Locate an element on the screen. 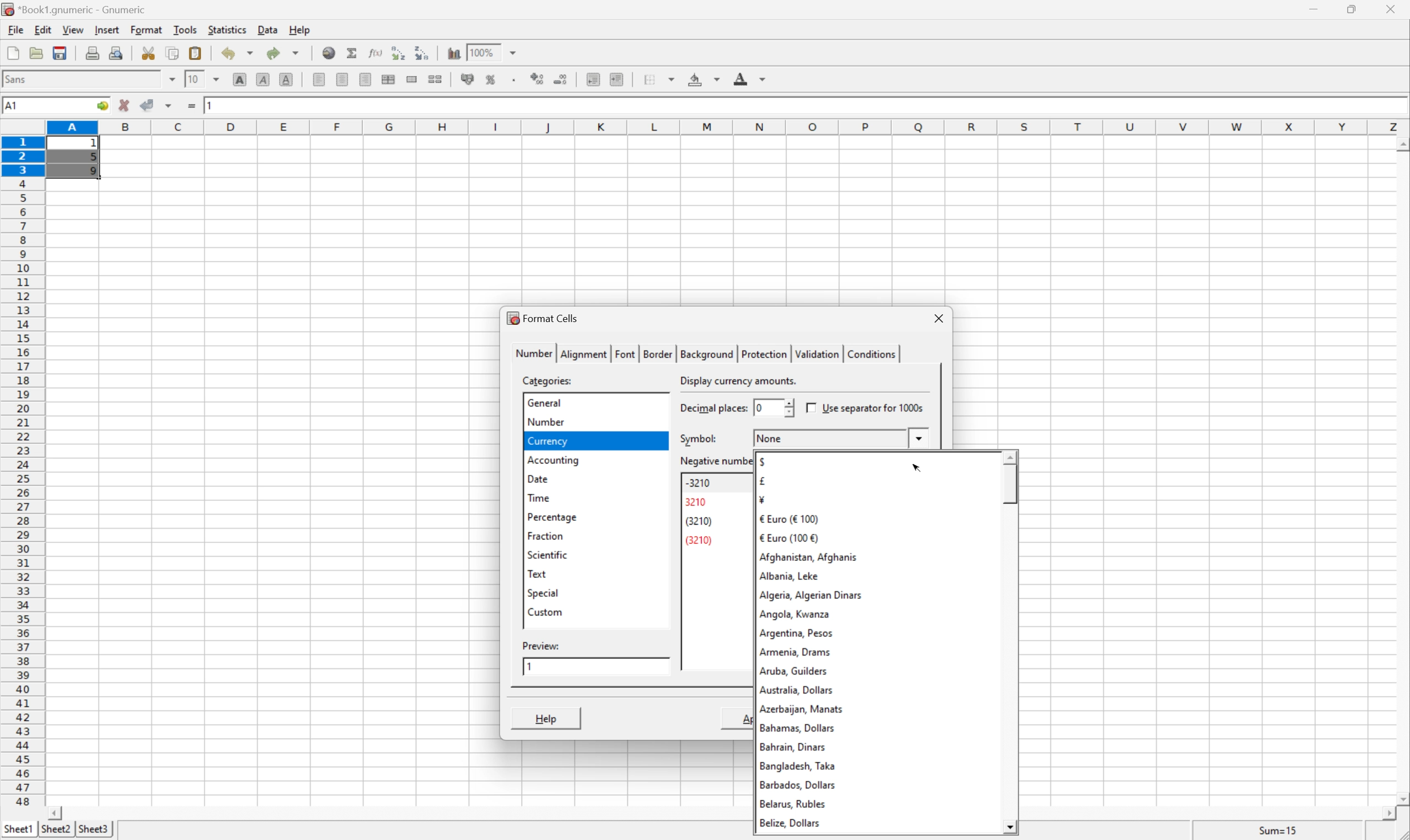  copy is located at coordinates (172, 53).